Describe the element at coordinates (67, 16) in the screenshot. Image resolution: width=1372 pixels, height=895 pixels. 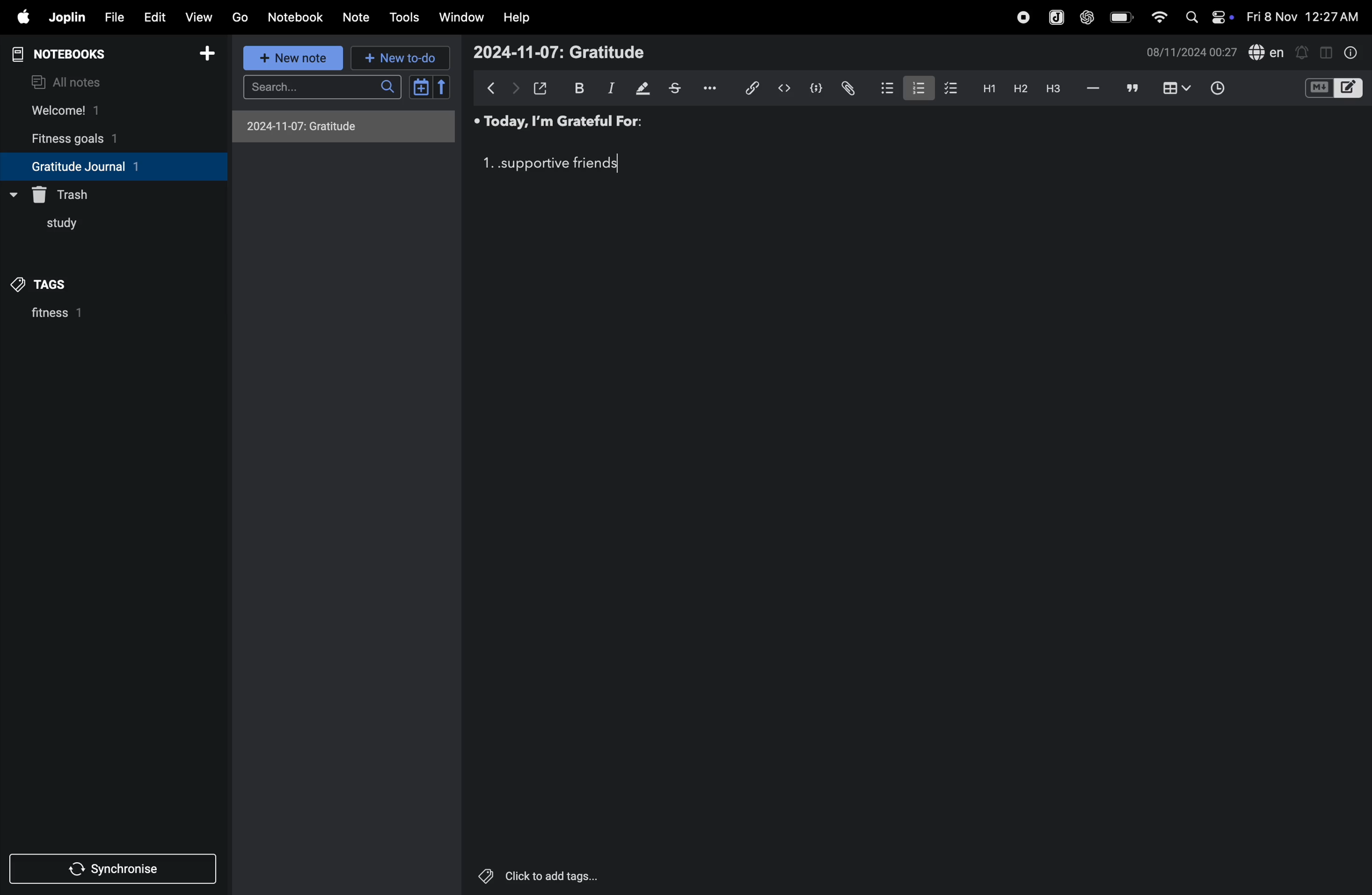
I see `joplin` at that location.